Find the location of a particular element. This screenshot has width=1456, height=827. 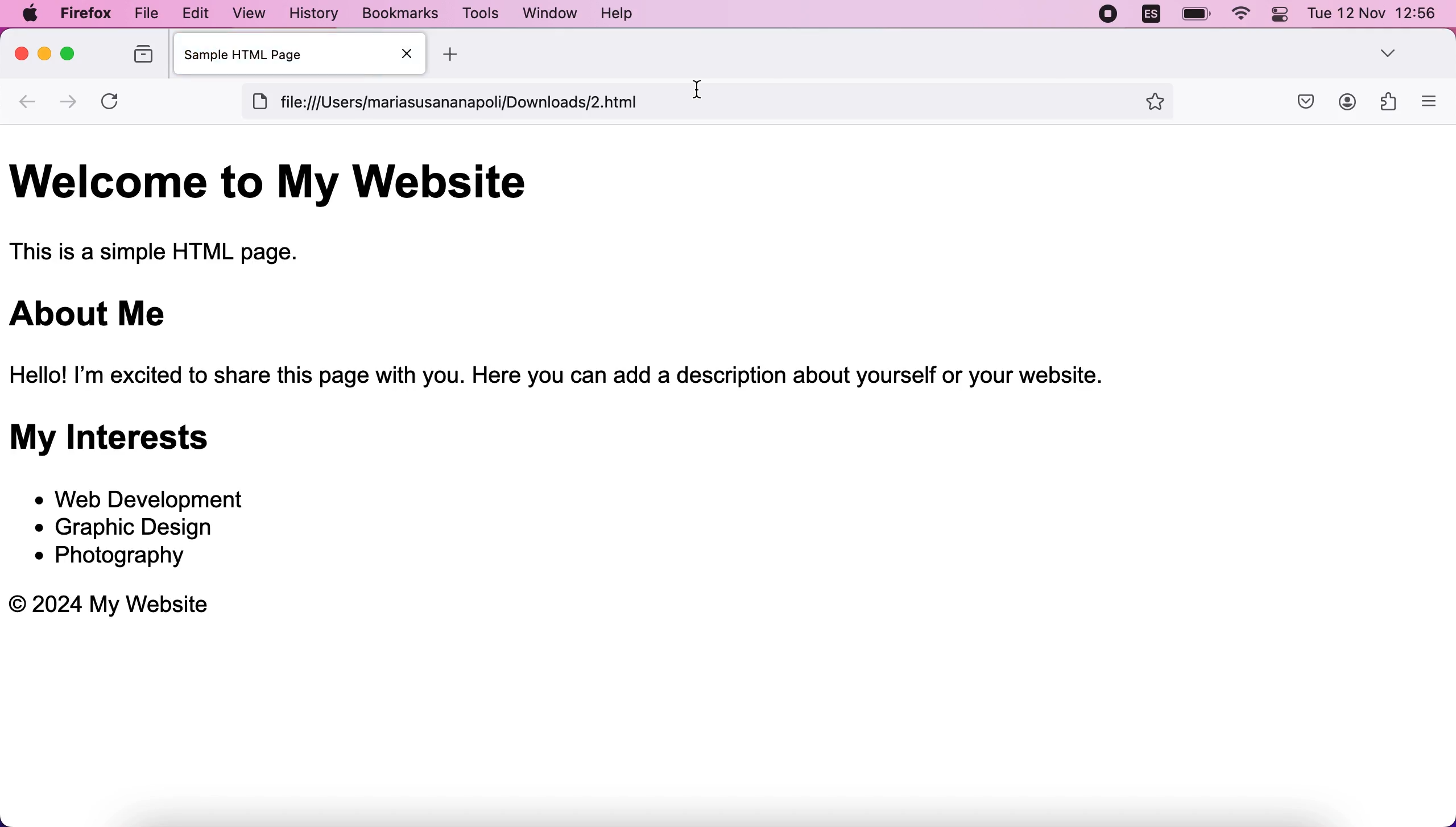

load current page is located at coordinates (117, 103).